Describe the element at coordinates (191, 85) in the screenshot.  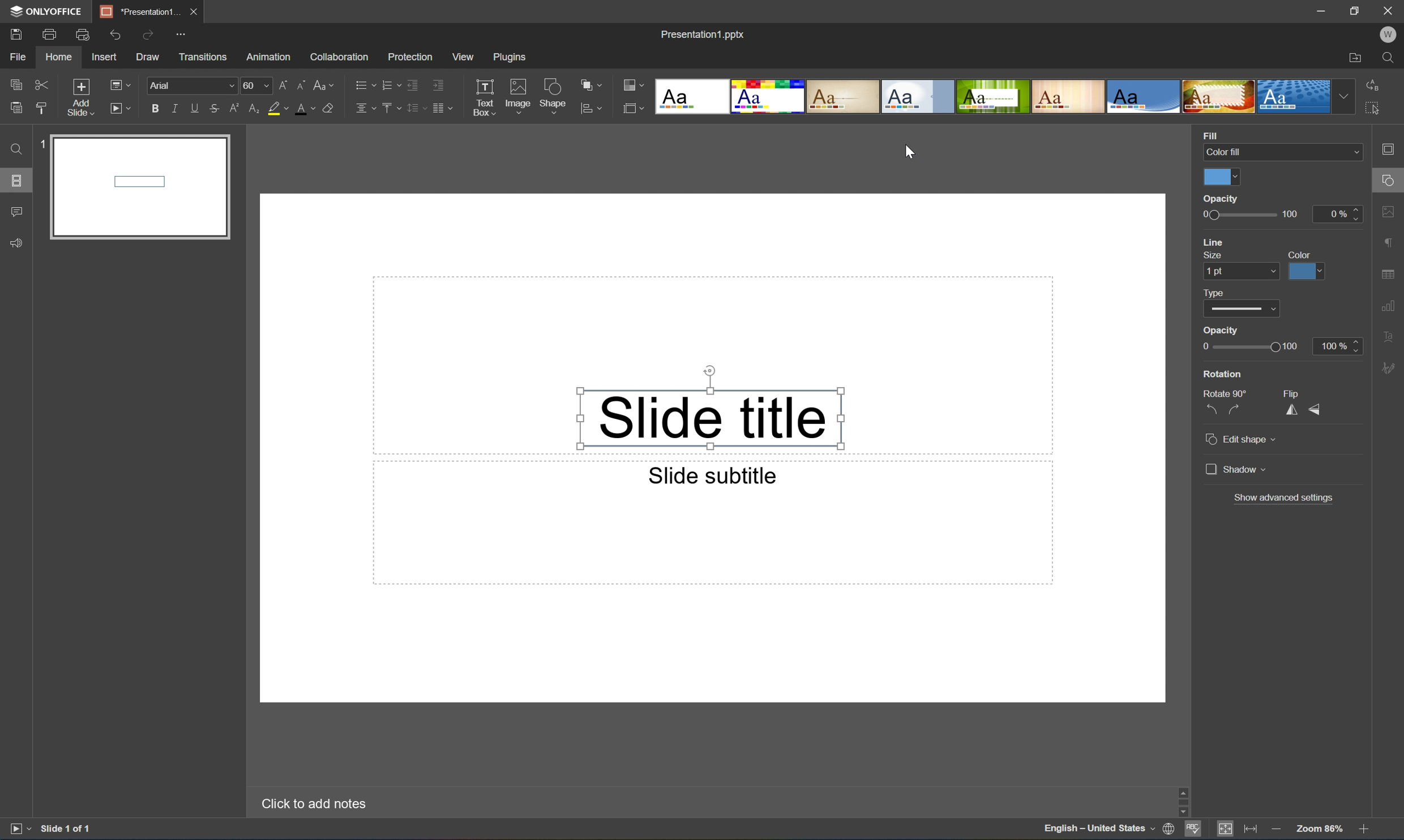
I see `Font` at that location.